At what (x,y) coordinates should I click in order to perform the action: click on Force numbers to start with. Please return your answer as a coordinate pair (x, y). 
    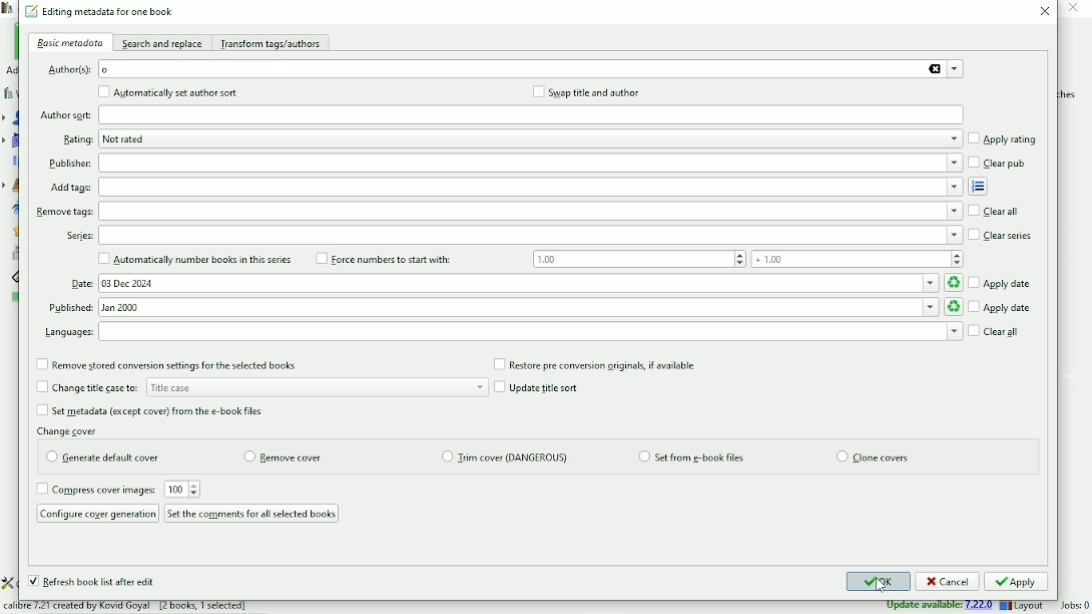
    Looking at the image, I should click on (637, 259).